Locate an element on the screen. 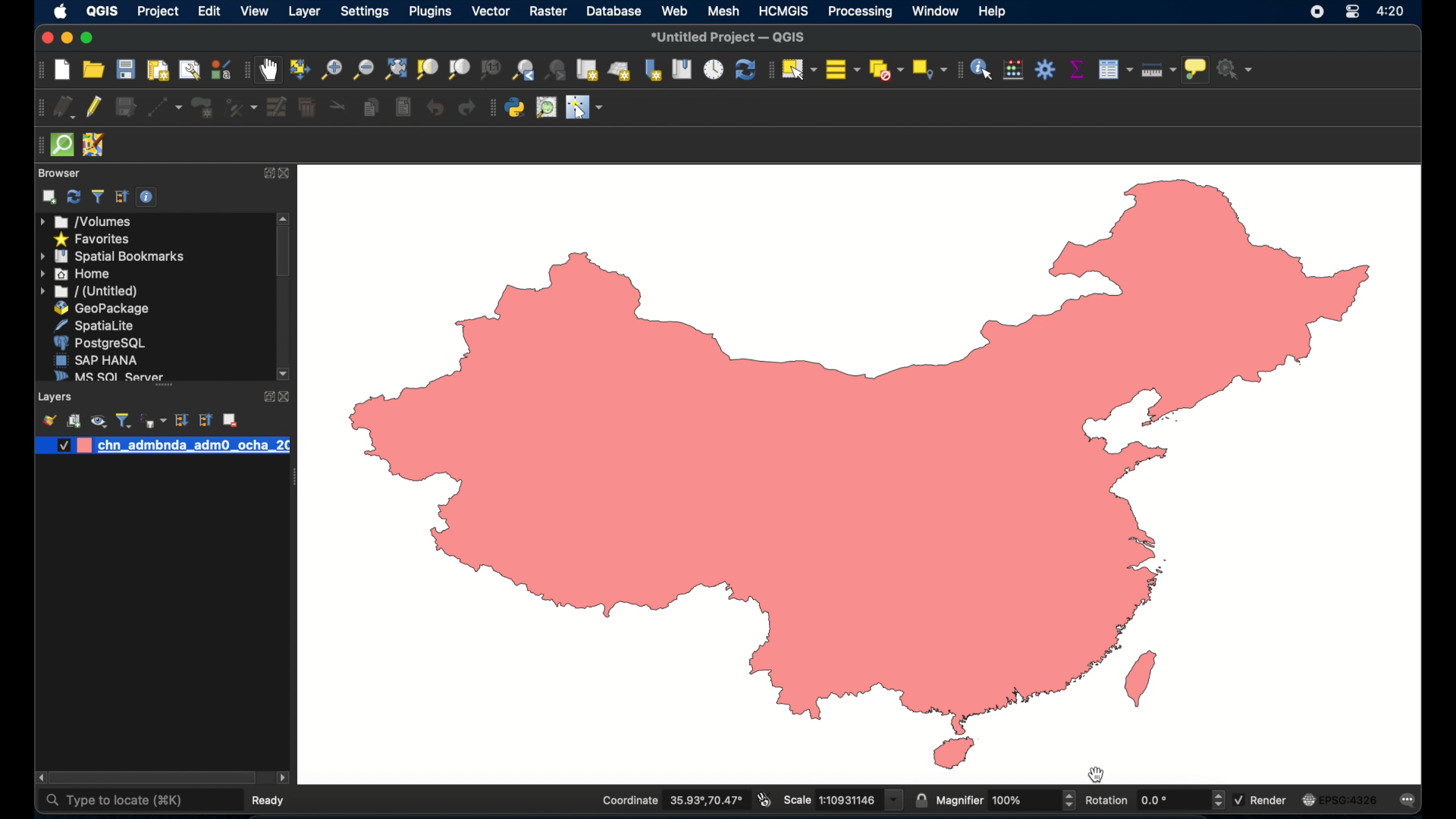  show spatial bookmarks is located at coordinates (682, 71).